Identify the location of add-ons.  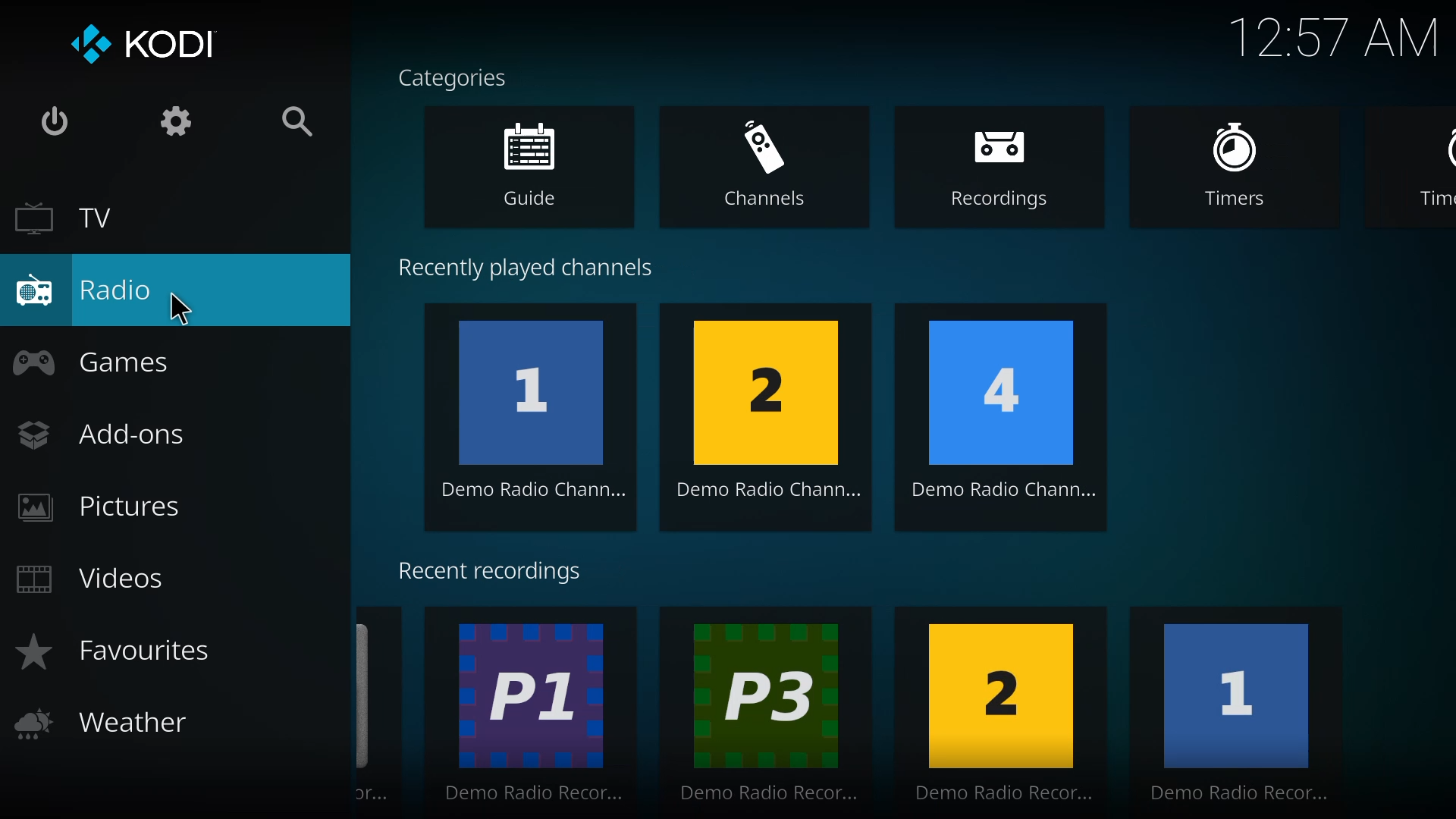
(105, 438).